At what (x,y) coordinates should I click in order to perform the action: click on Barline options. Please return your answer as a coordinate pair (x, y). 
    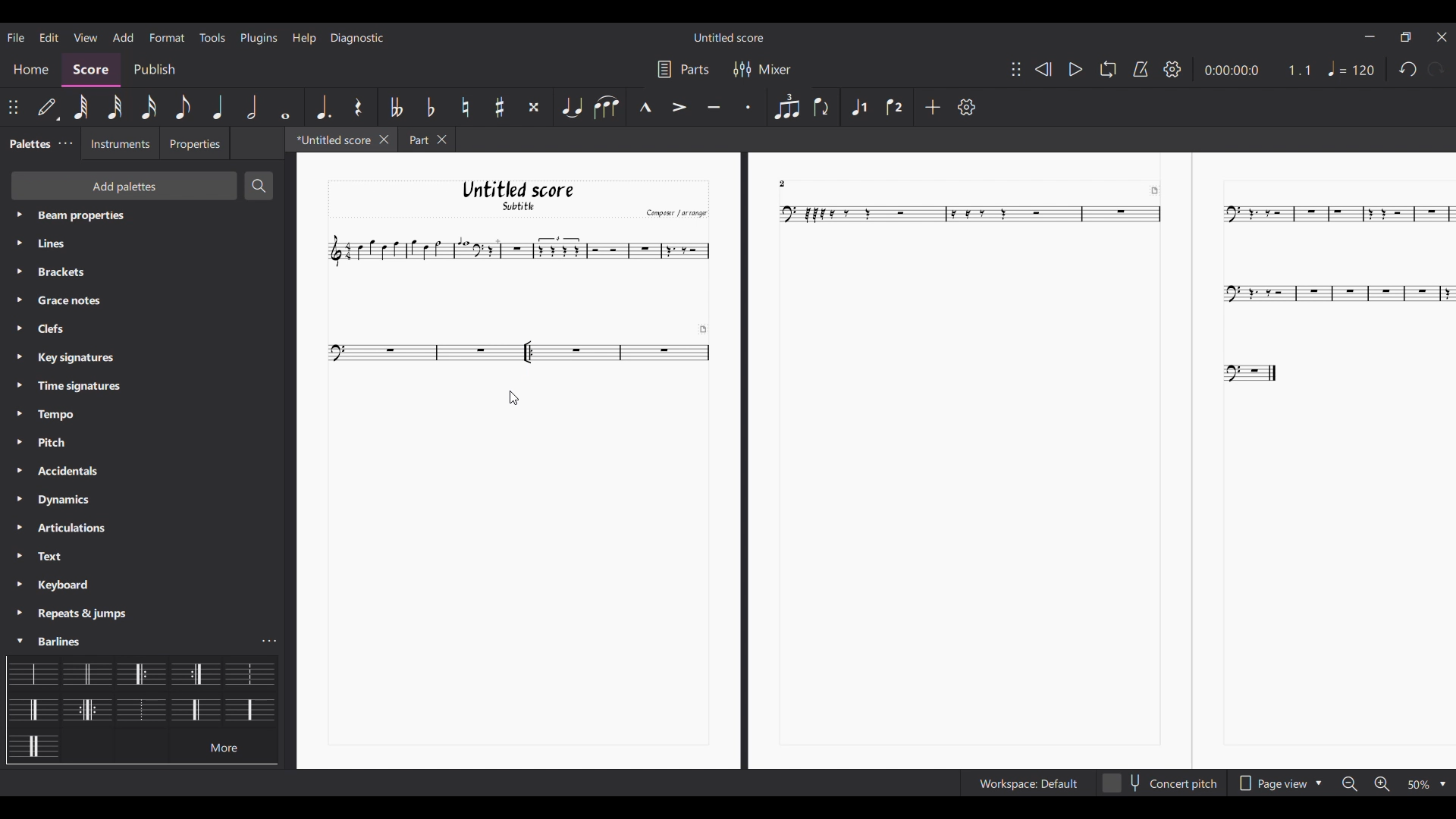
    Looking at the image, I should click on (141, 711).